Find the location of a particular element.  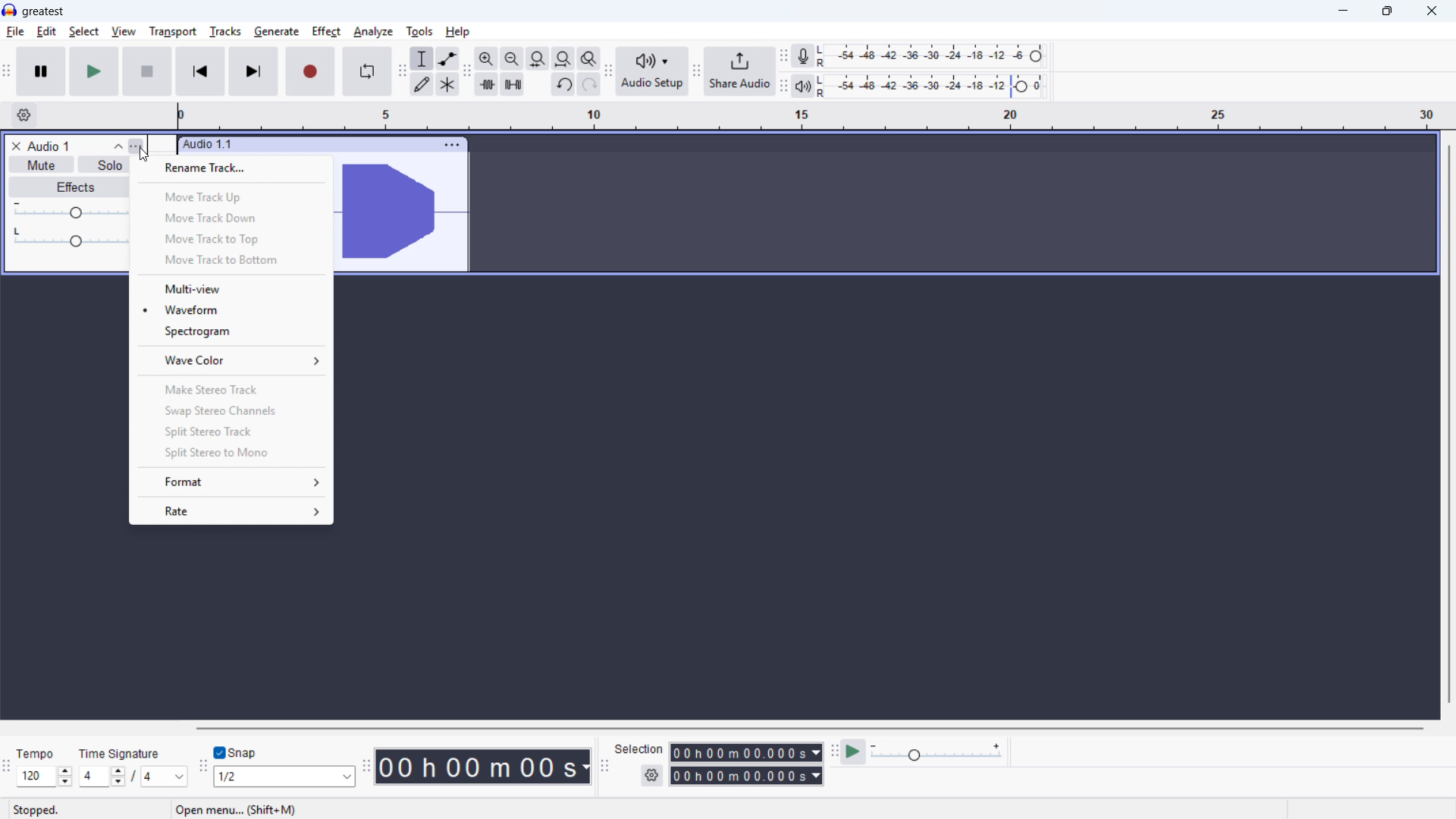

play at speed is located at coordinates (853, 752).